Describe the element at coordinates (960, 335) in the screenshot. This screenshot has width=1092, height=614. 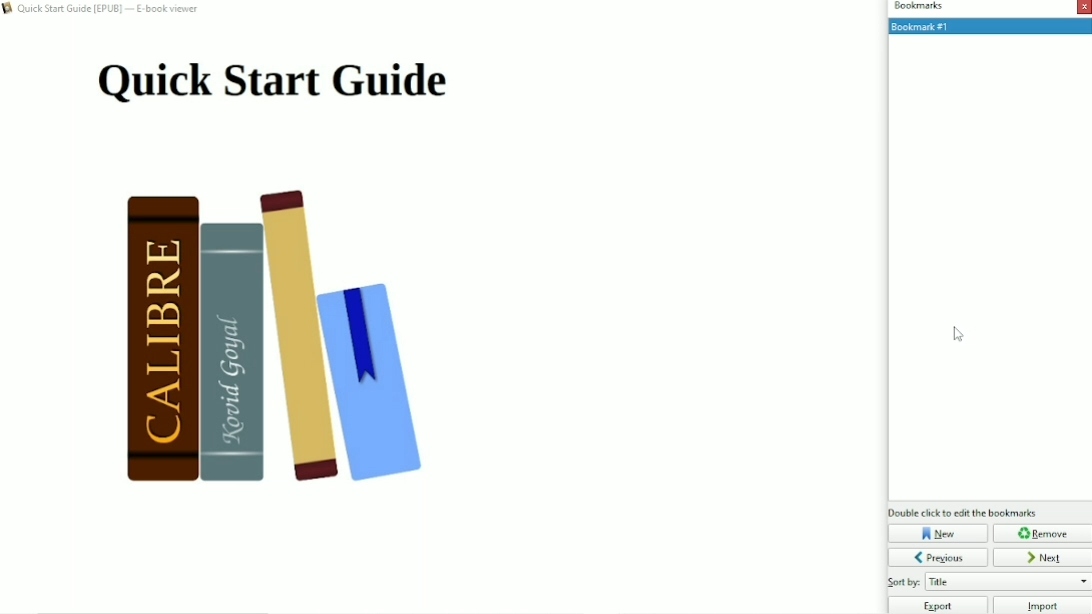
I see `Cursor` at that location.